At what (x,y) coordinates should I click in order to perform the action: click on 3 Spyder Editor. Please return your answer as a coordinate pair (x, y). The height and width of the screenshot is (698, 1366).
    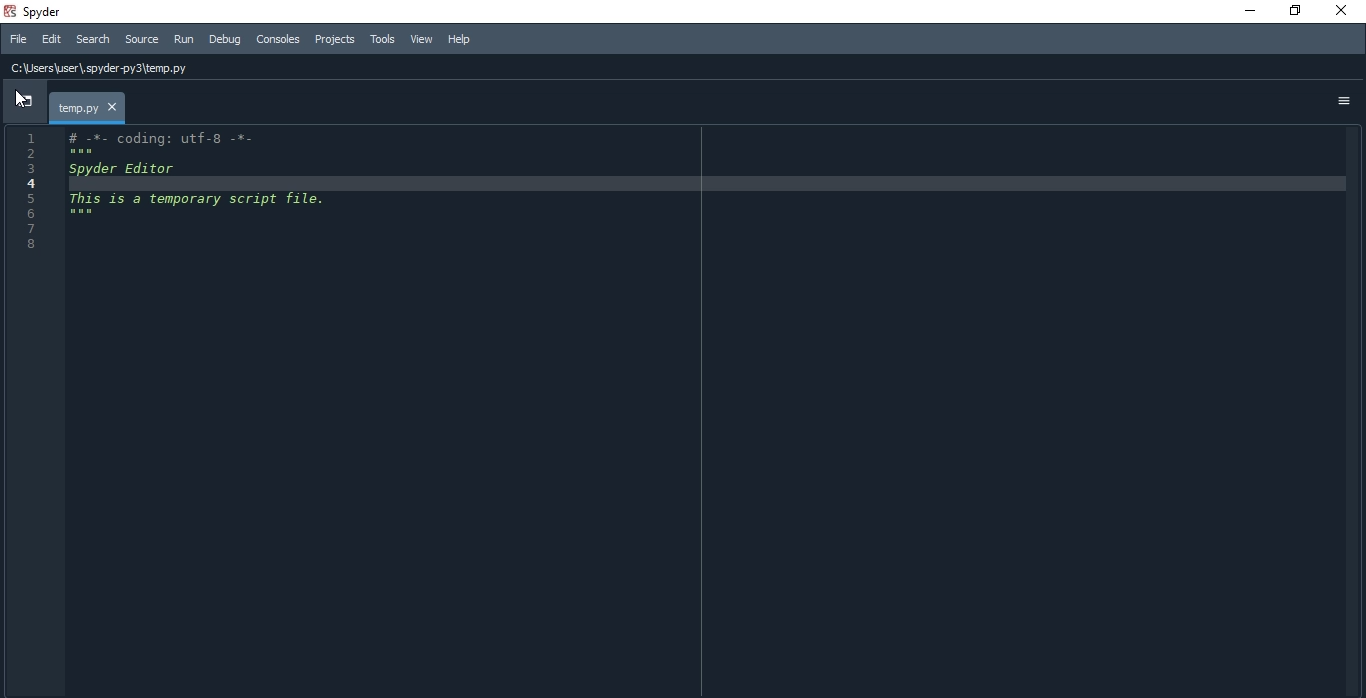
    Looking at the image, I should click on (112, 170).